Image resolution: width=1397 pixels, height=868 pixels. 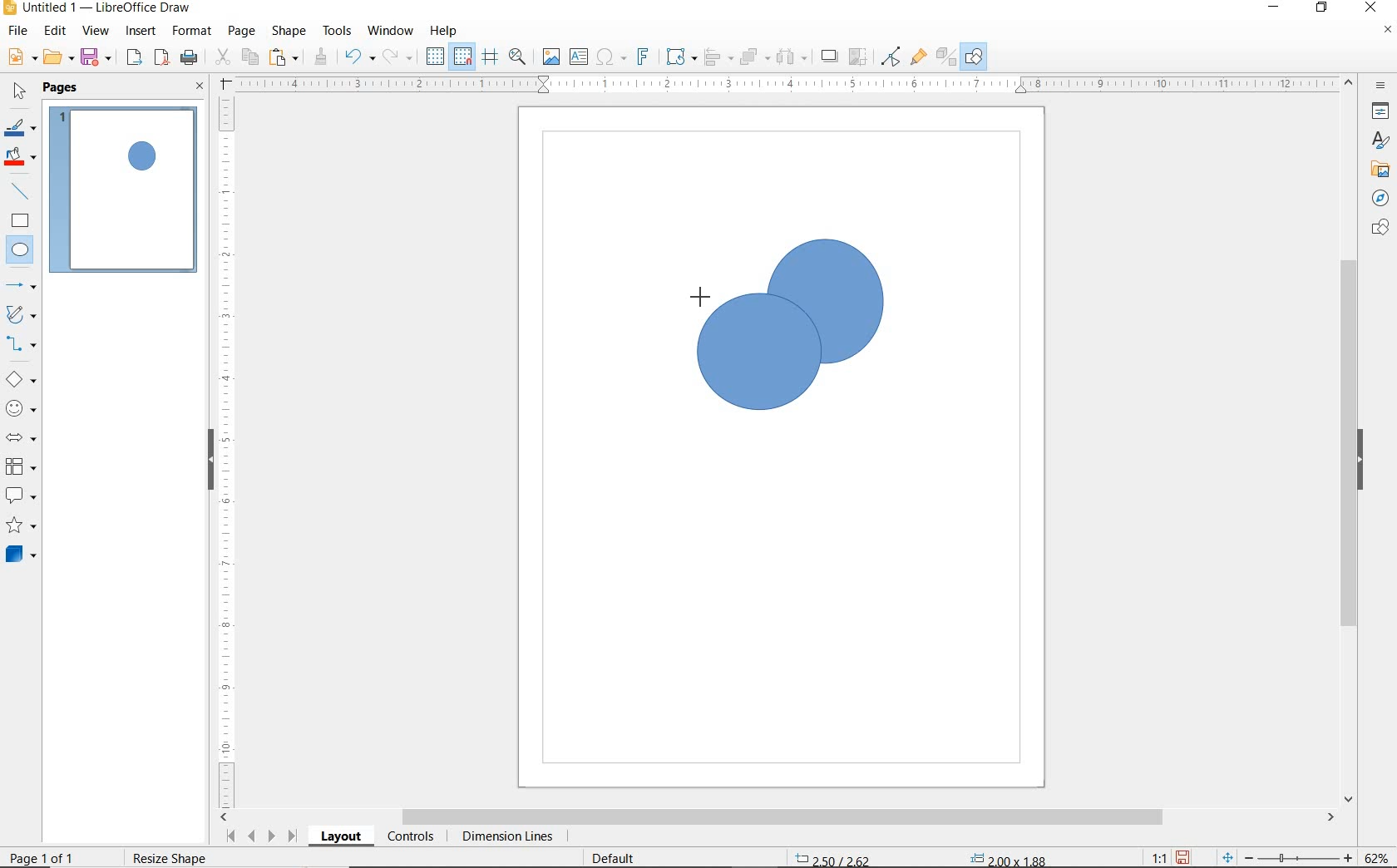 I want to click on SAVE, so click(x=1185, y=856).